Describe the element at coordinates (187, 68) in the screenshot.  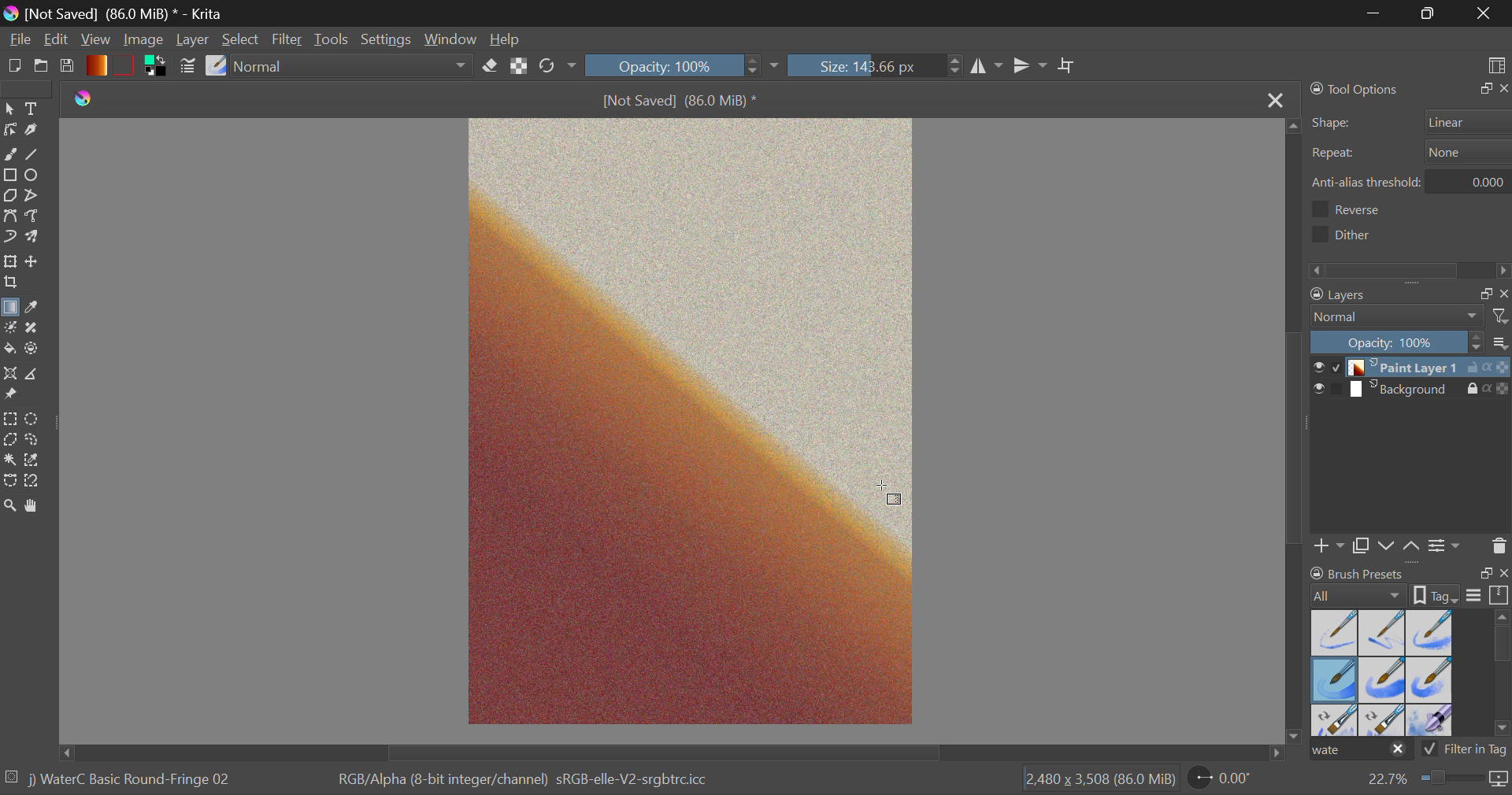
I see `Brusht Settings` at that location.